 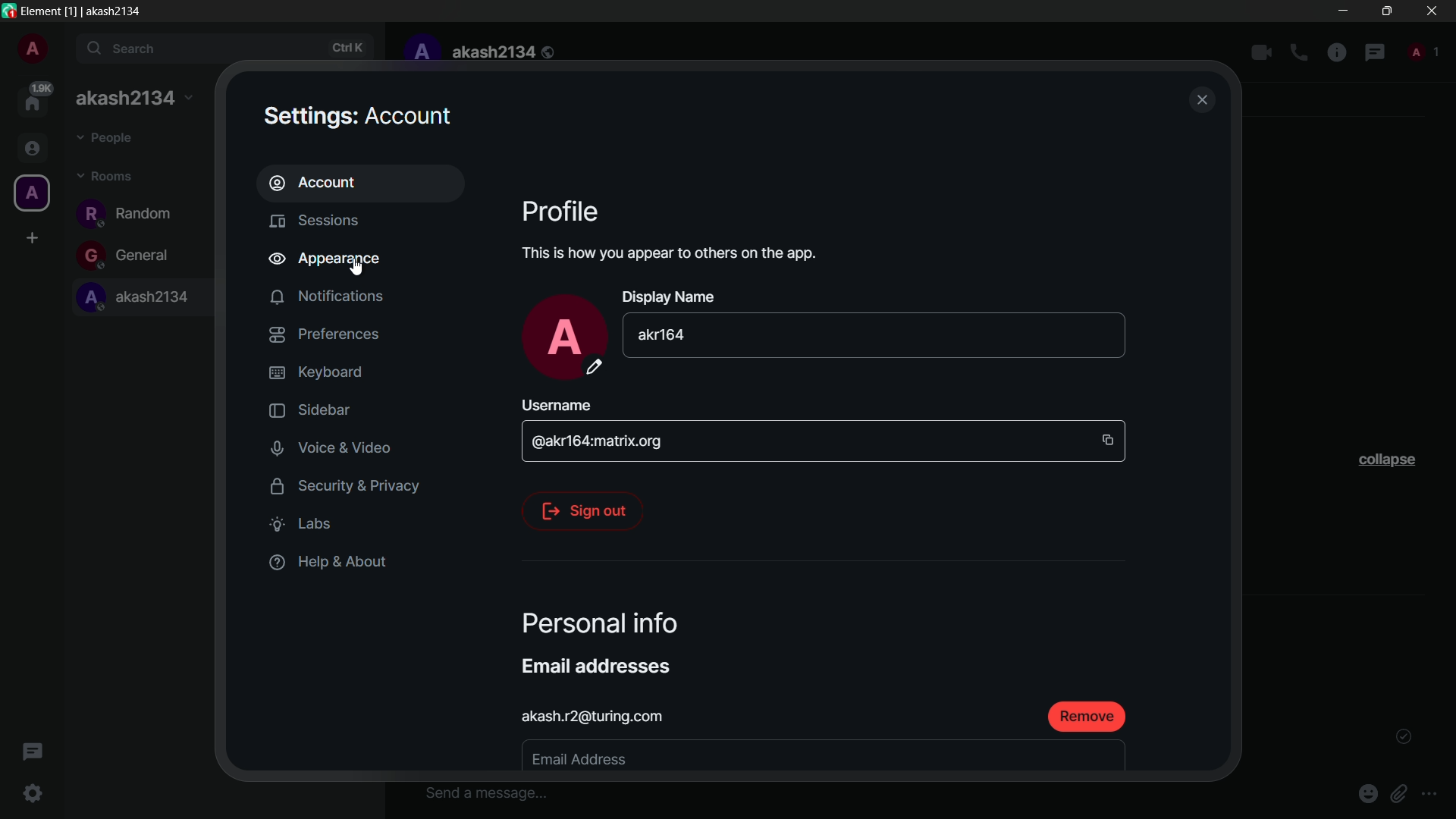 I want to click on collapse, so click(x=1385, y=460).